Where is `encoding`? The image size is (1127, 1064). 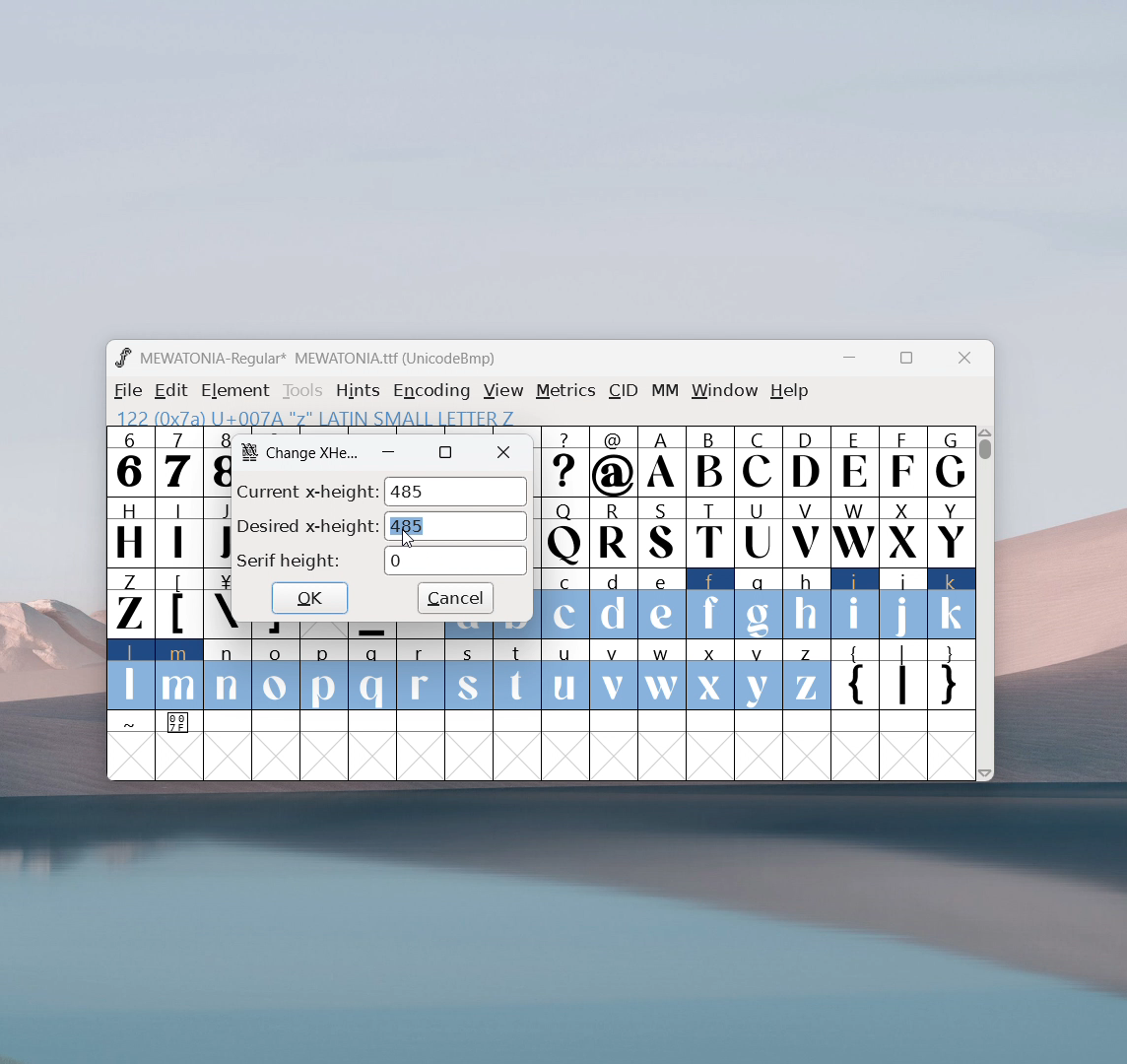
encoding is located at coordinates (431, 389).